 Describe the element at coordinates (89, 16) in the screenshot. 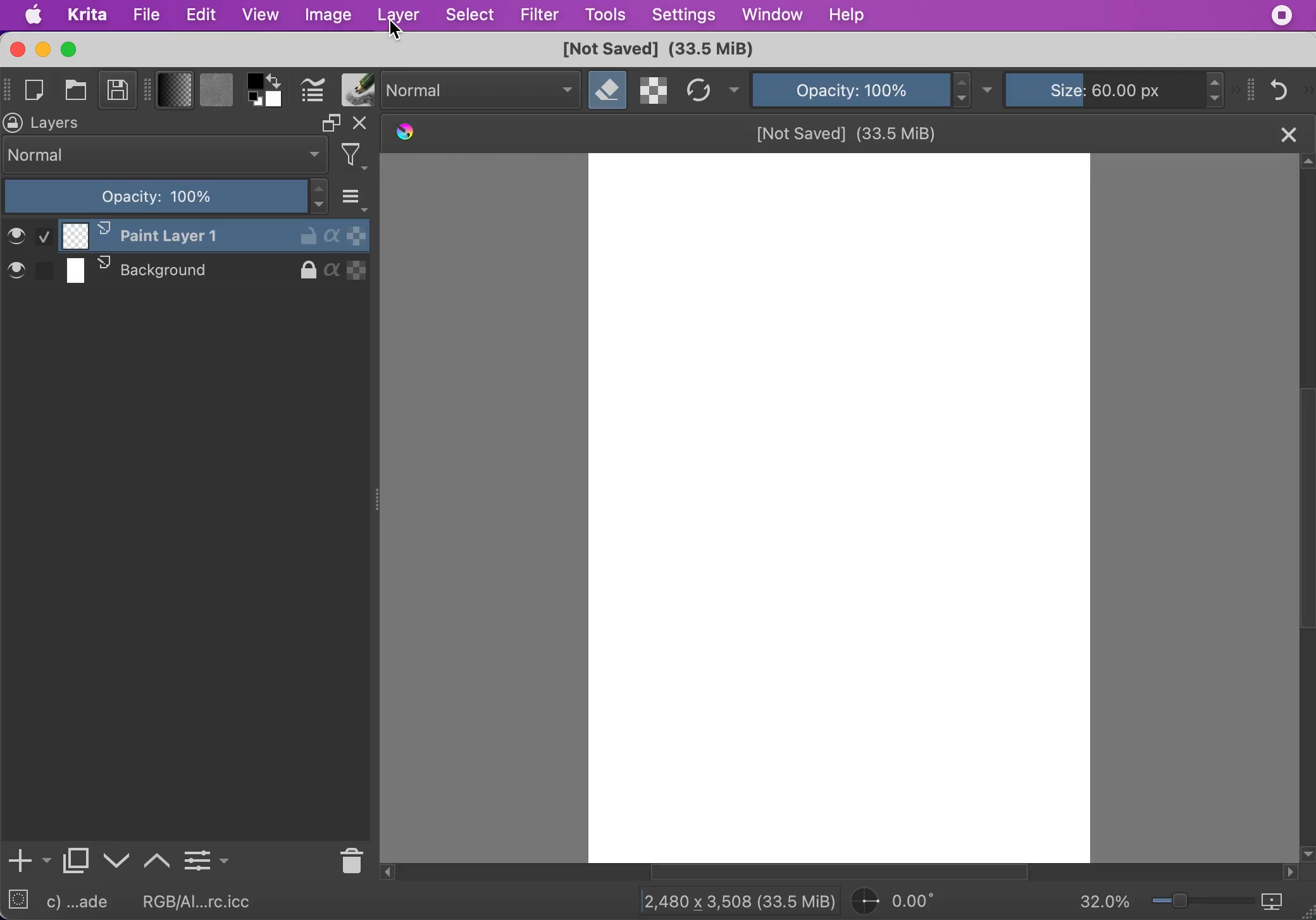

I see `krita` at that location.